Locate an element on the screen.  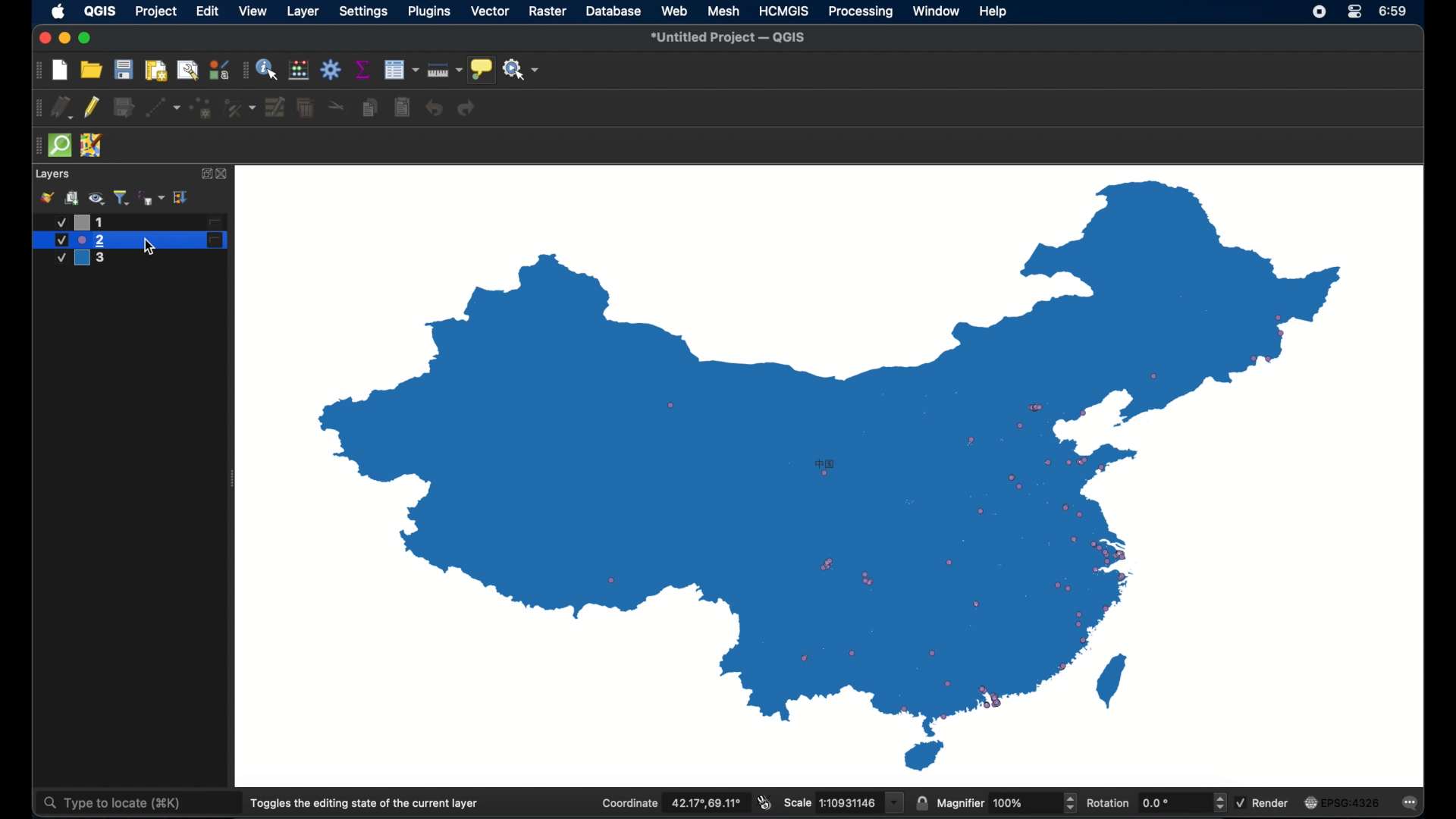
open is located at coordinates (91, 69).